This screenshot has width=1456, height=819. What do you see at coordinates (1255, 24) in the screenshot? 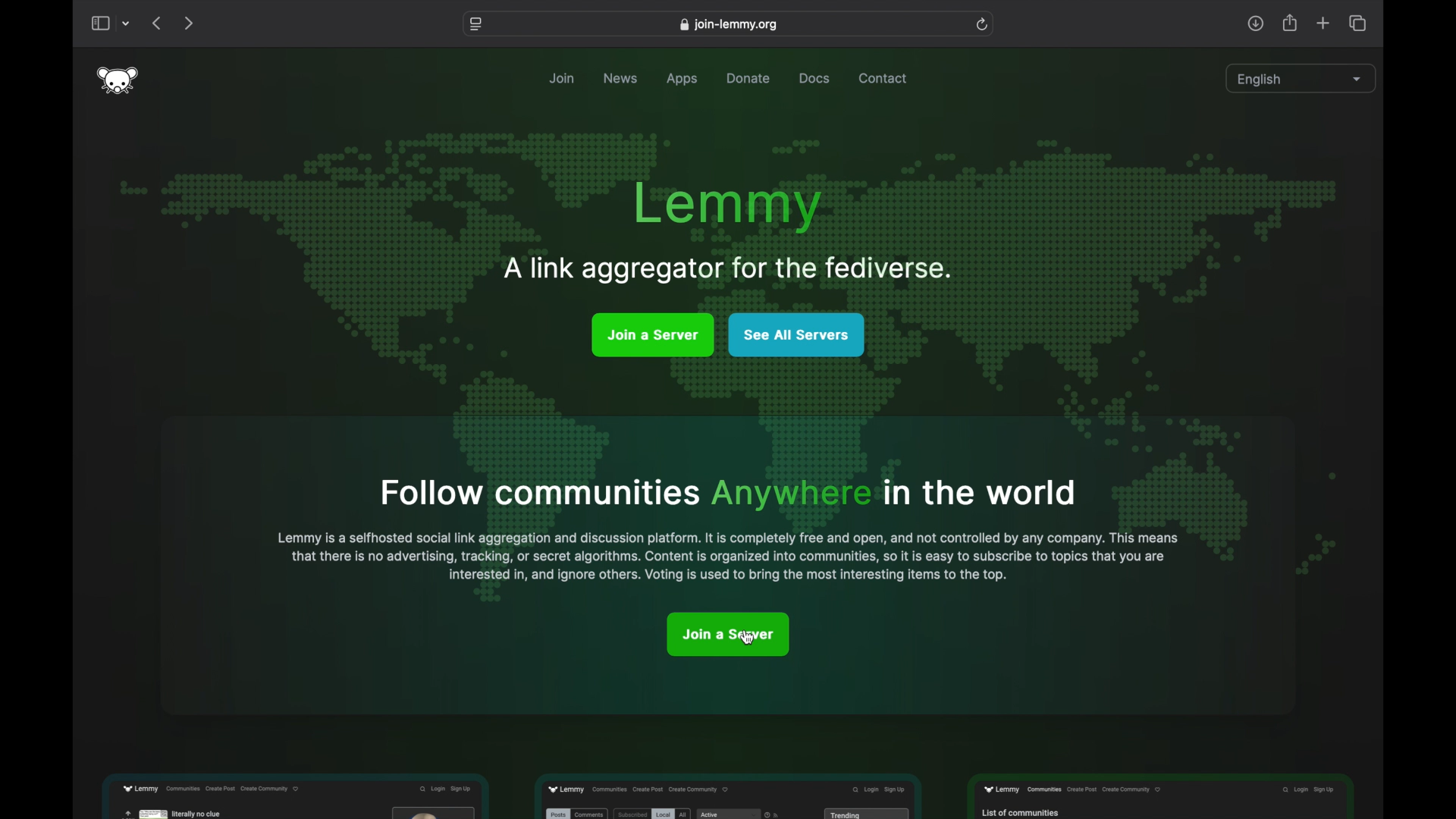
I see `share` at bounding box center [1255, 24].